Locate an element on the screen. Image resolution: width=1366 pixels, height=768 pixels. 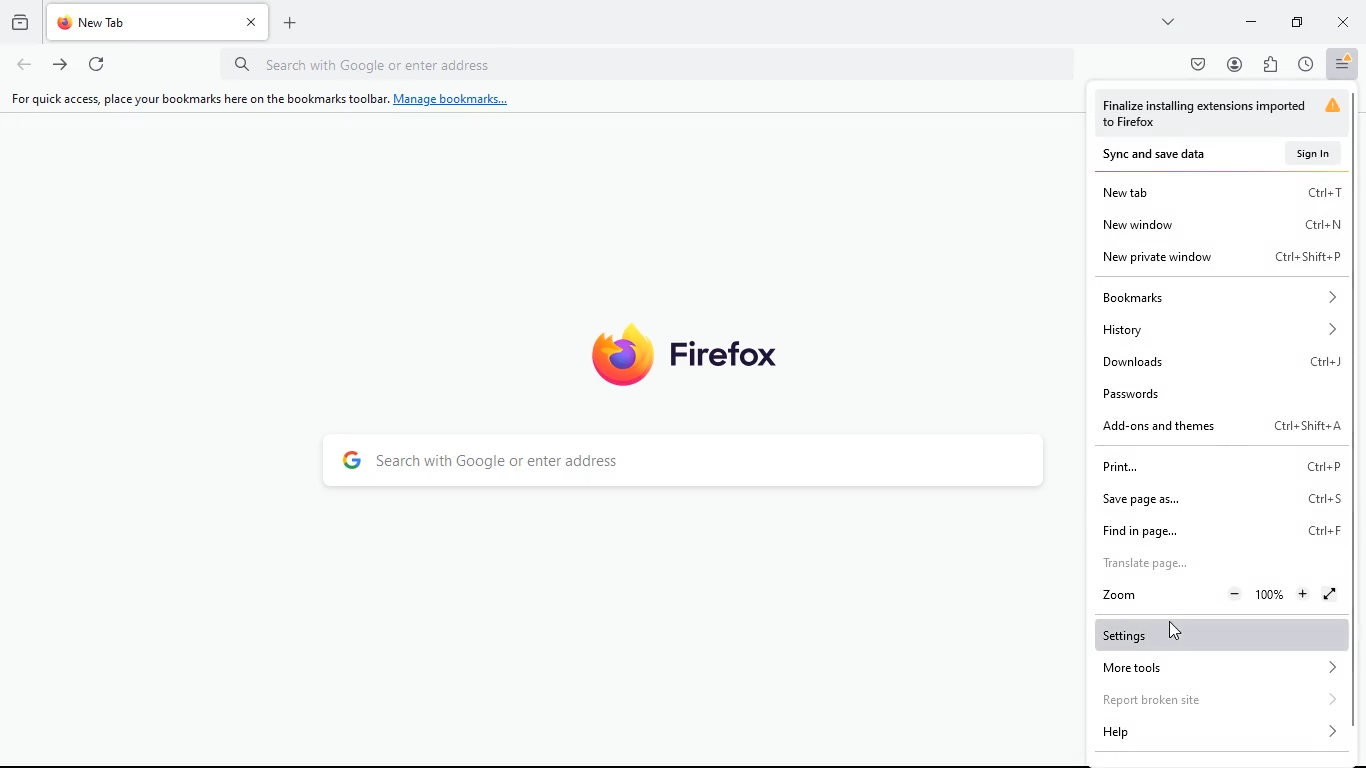
add tab is located at coordinates (289, 19).